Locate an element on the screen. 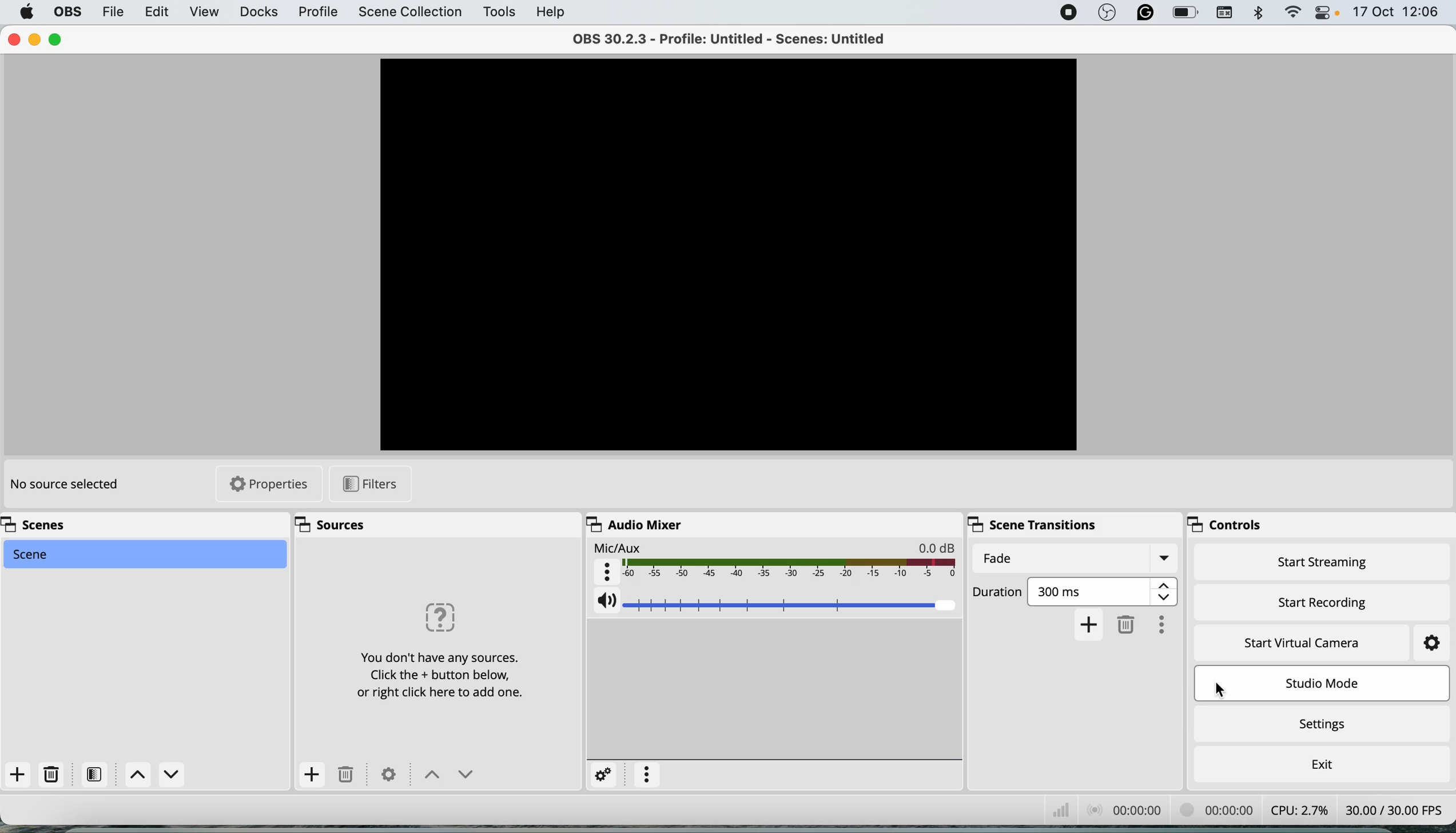  keyboard is located at coordinates (1223, 13).